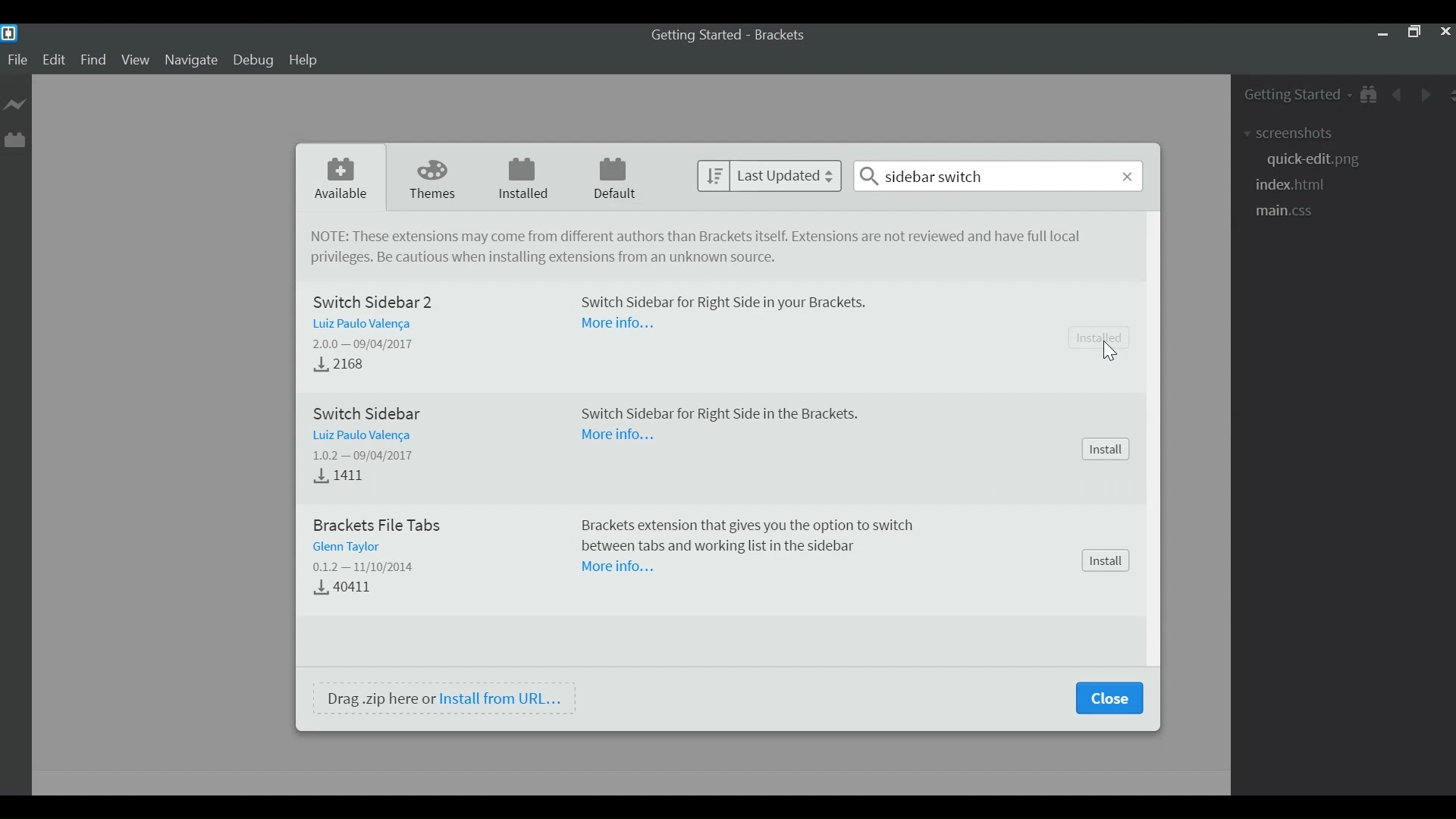 This screenshot has height=819, width=1456. What do you see at coordinates (375, 526) in the screenshot?
I see `Brackets File Tabs` at bounding box center [375, 526].